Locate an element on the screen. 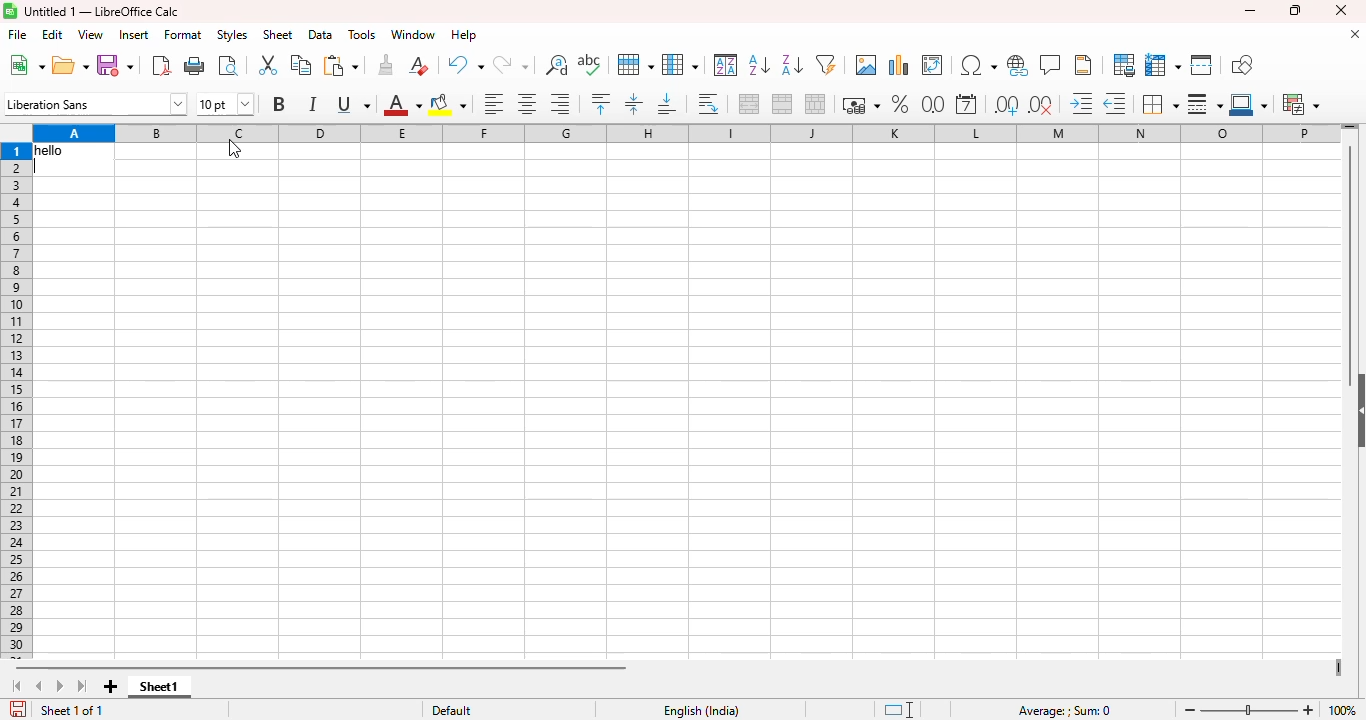 This screenshot has width=1366, height=720. show draw functions is located at coordinates (1241, 64).